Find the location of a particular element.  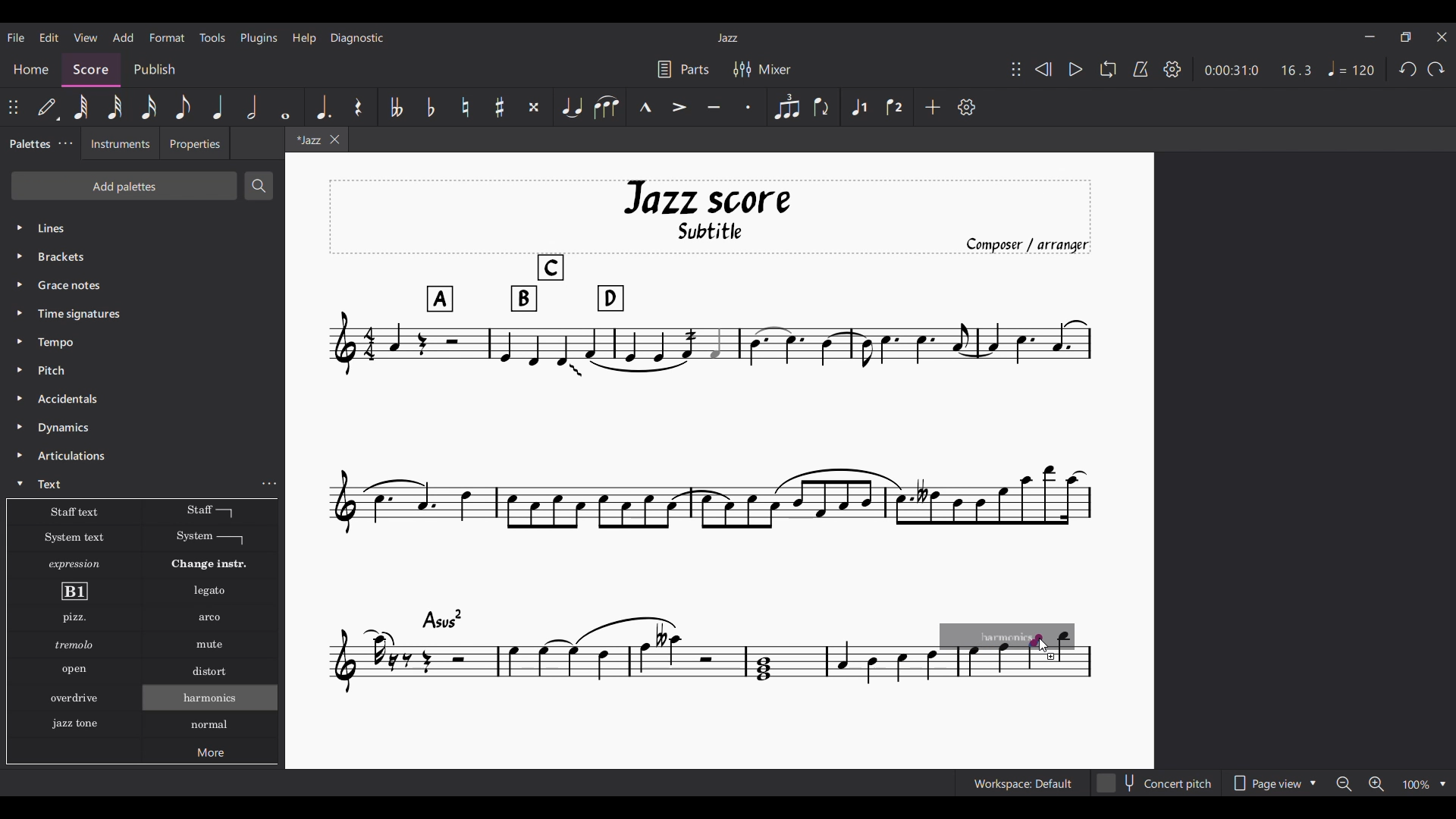

Articulation is located at coordinates (74, 457).